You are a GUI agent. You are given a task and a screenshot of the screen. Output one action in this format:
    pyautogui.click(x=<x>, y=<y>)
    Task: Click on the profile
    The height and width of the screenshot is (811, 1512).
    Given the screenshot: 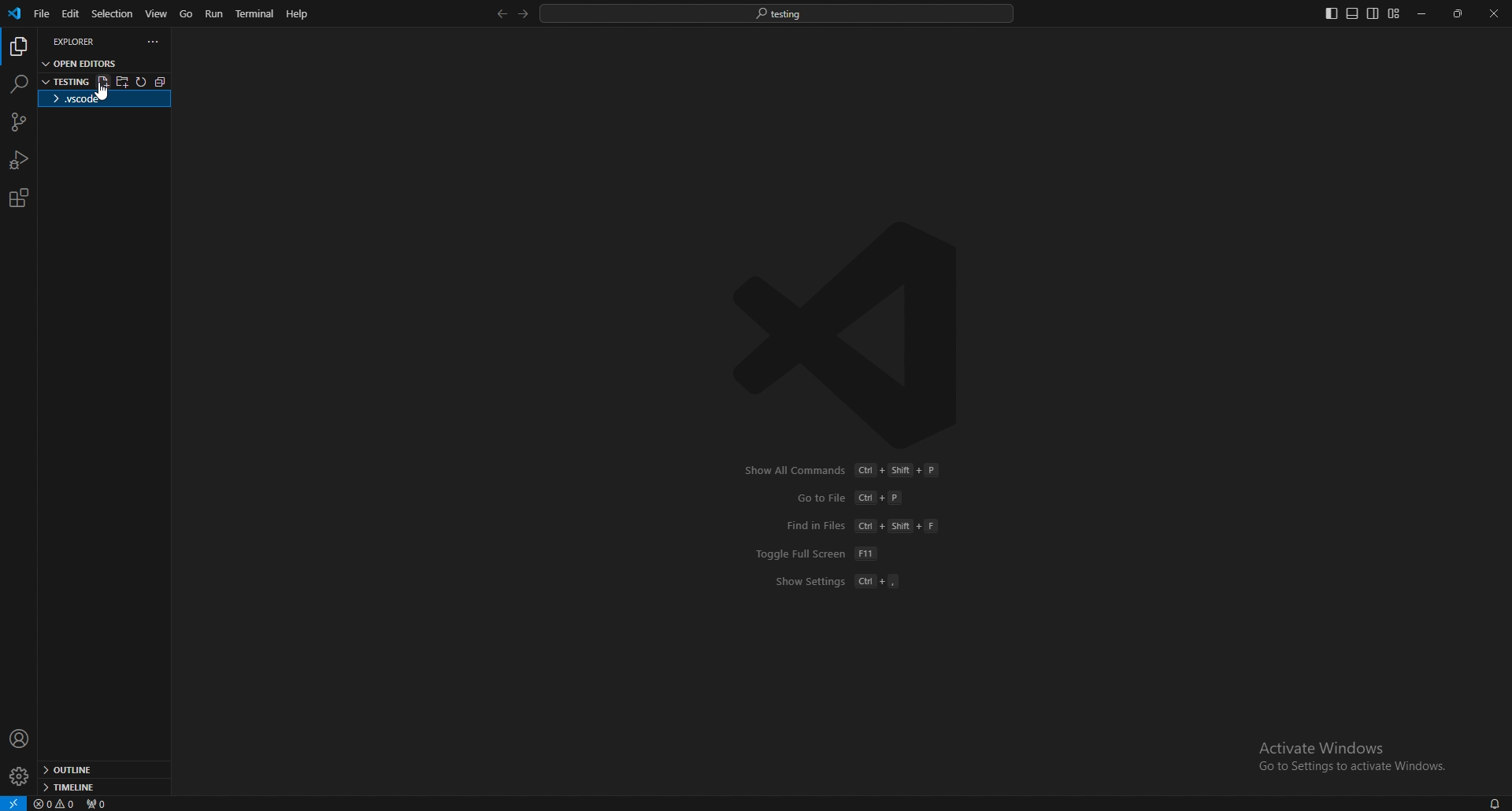 What is the action you would take?
    pyautogui.click(x=20, y=739)
    